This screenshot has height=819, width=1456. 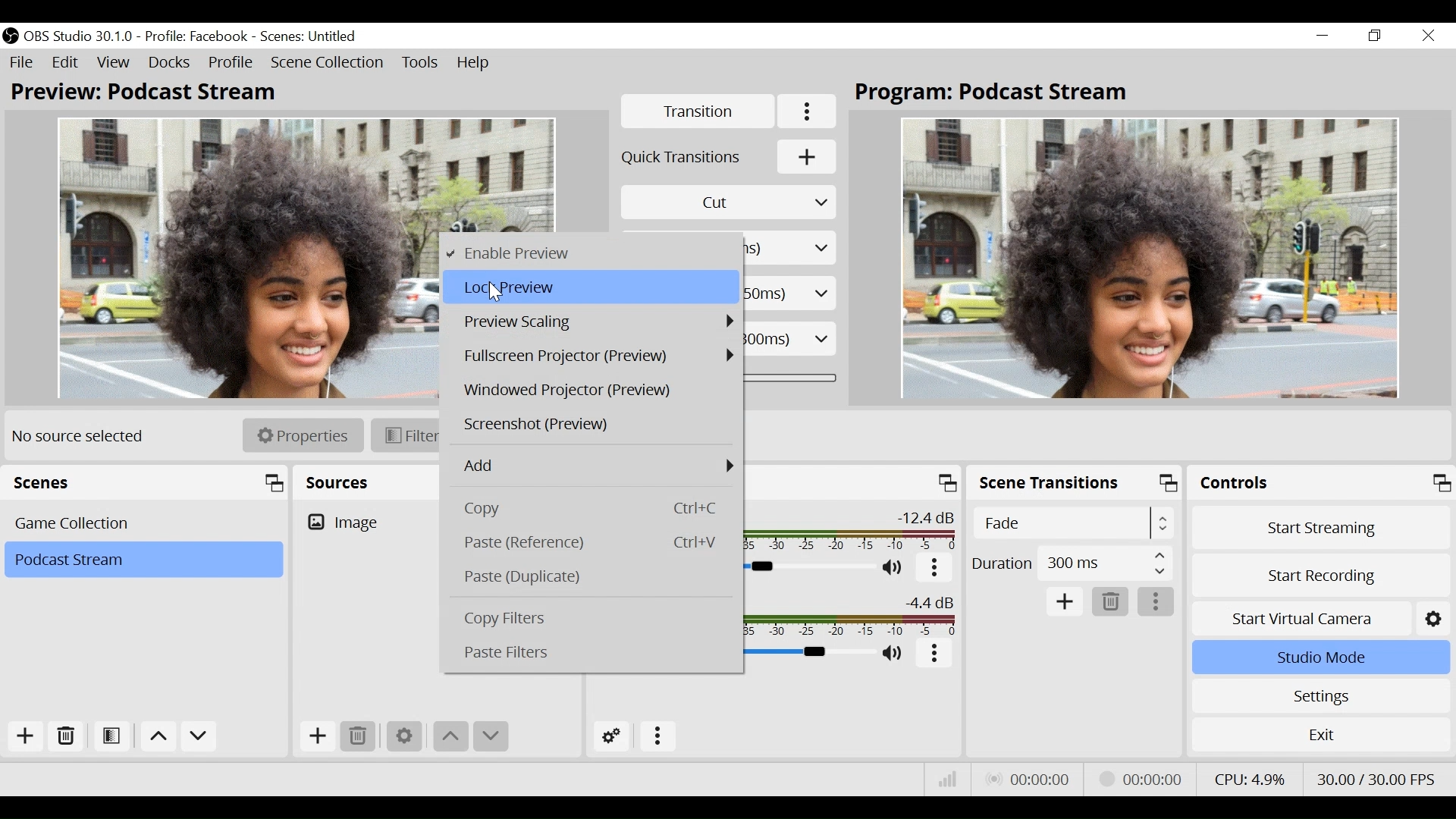 I want to click on CPU Usage, so click(x=1252, y=776).